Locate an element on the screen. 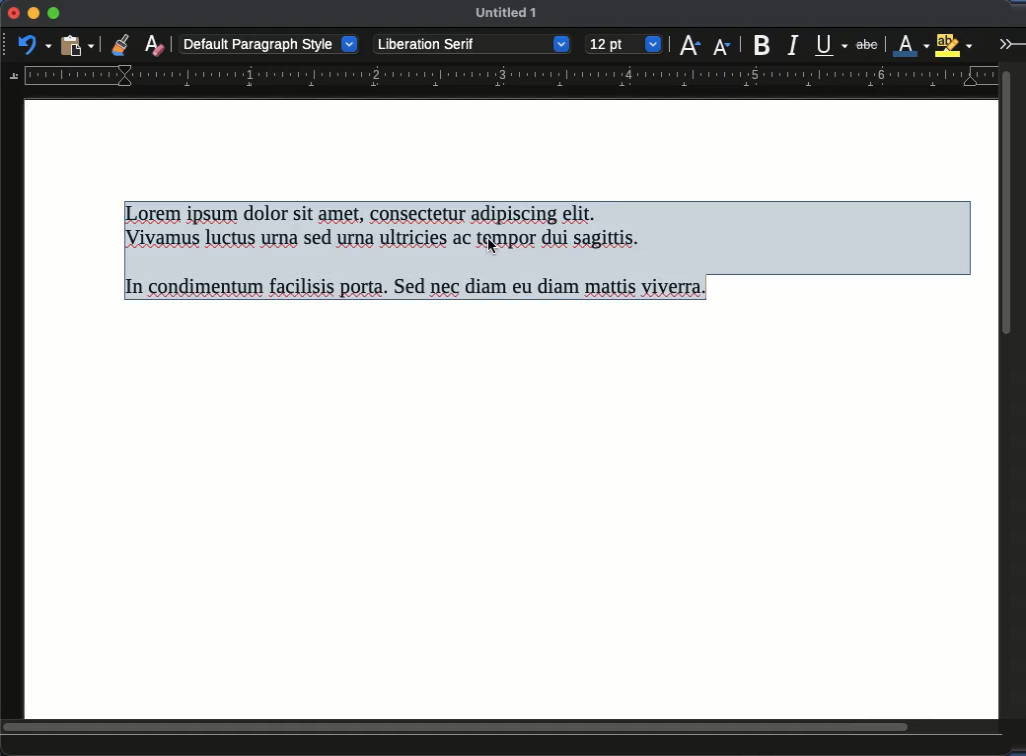  scroll is located at coordinates (502, 729).